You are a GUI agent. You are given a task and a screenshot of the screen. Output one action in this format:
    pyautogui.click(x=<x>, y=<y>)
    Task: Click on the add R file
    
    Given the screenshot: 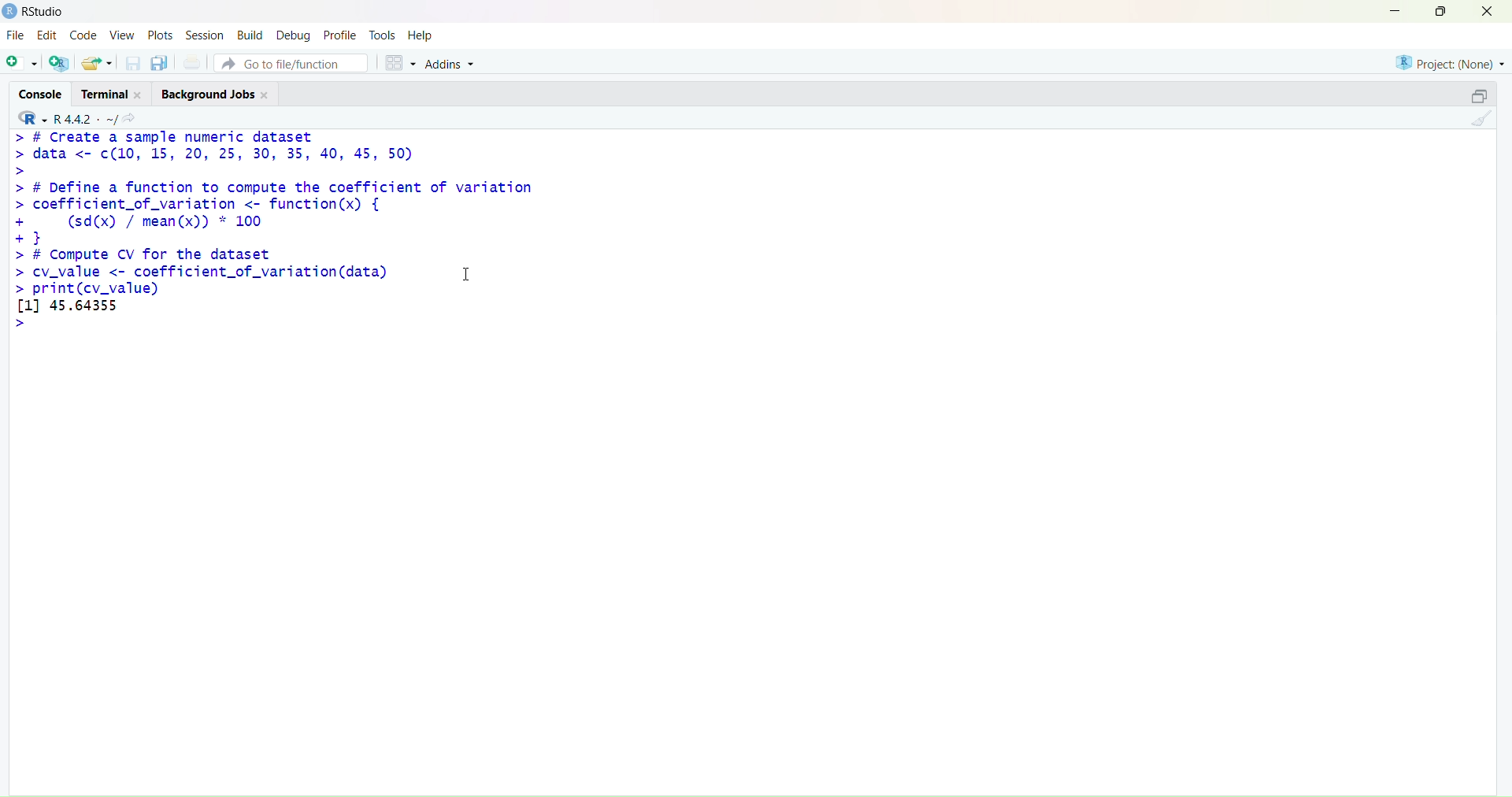 What is the action you would take?
    pyautogui.click(x=59, y=64)
    